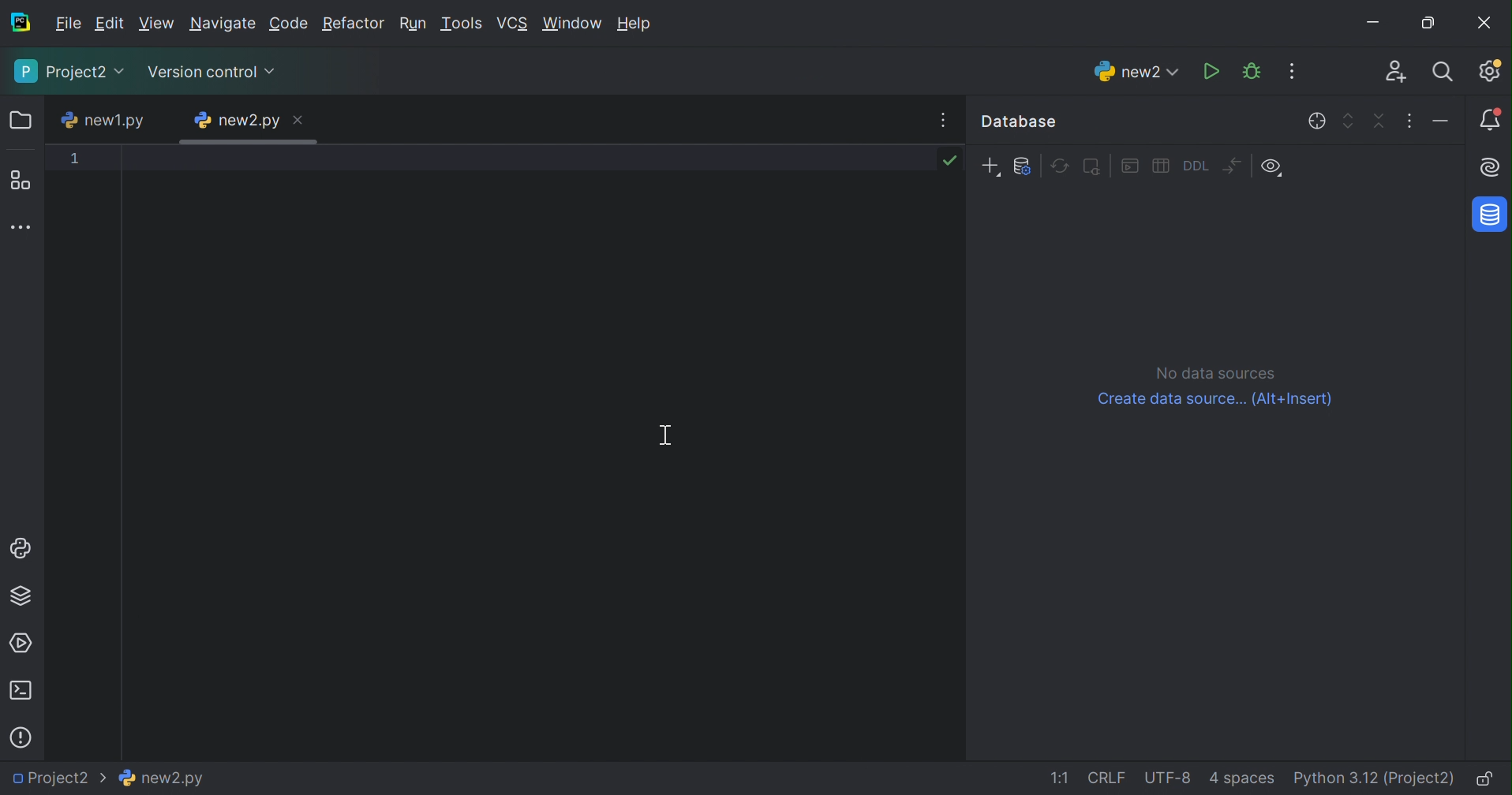 The width and height of the screenshot is (1512, 795). What do you see at coordinates (221, 24) in the screenshot?
I see `Navigate` at bounding box center [221, 24].